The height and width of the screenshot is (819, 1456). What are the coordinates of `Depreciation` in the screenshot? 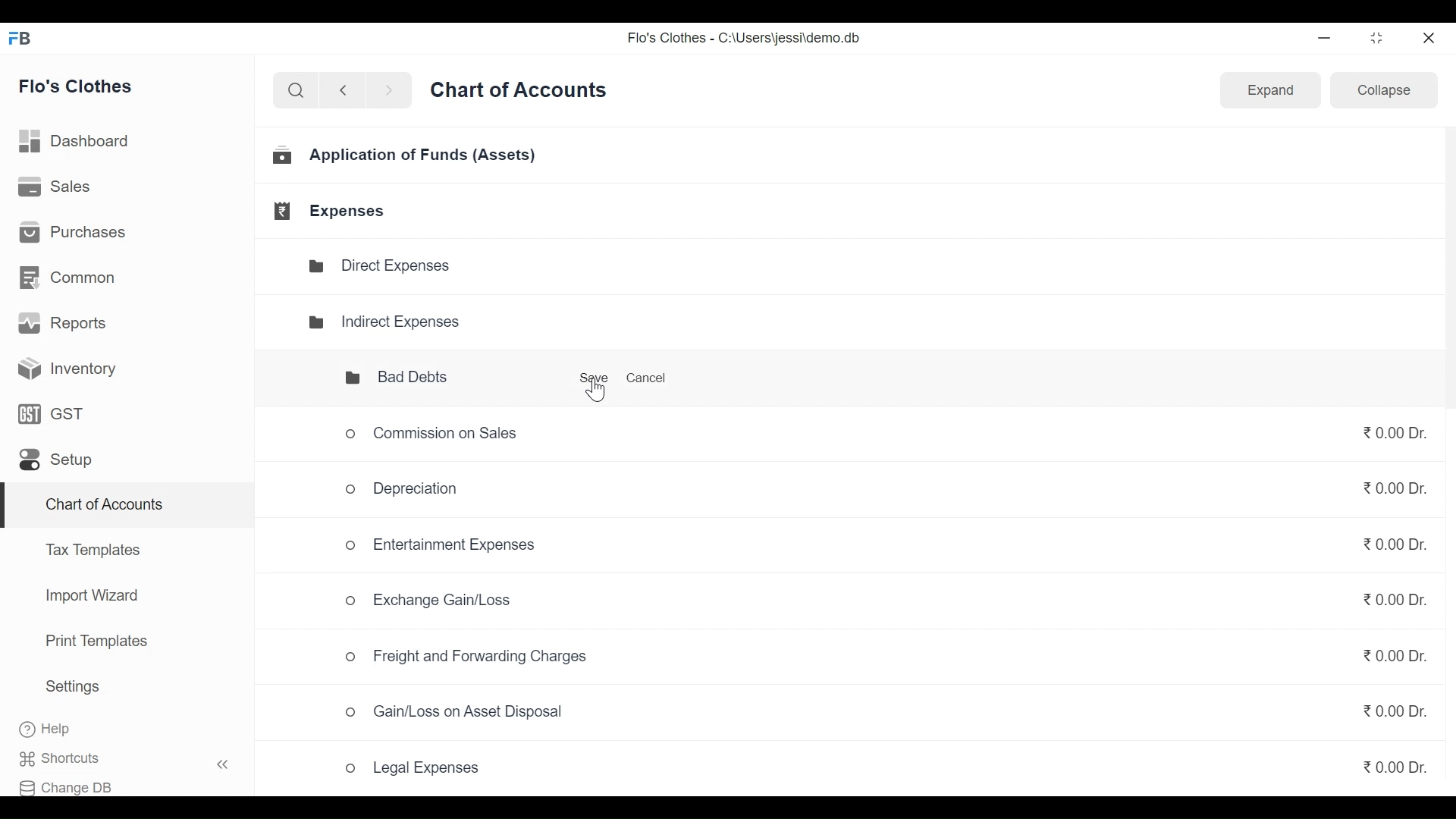 It's located at (408, 492).